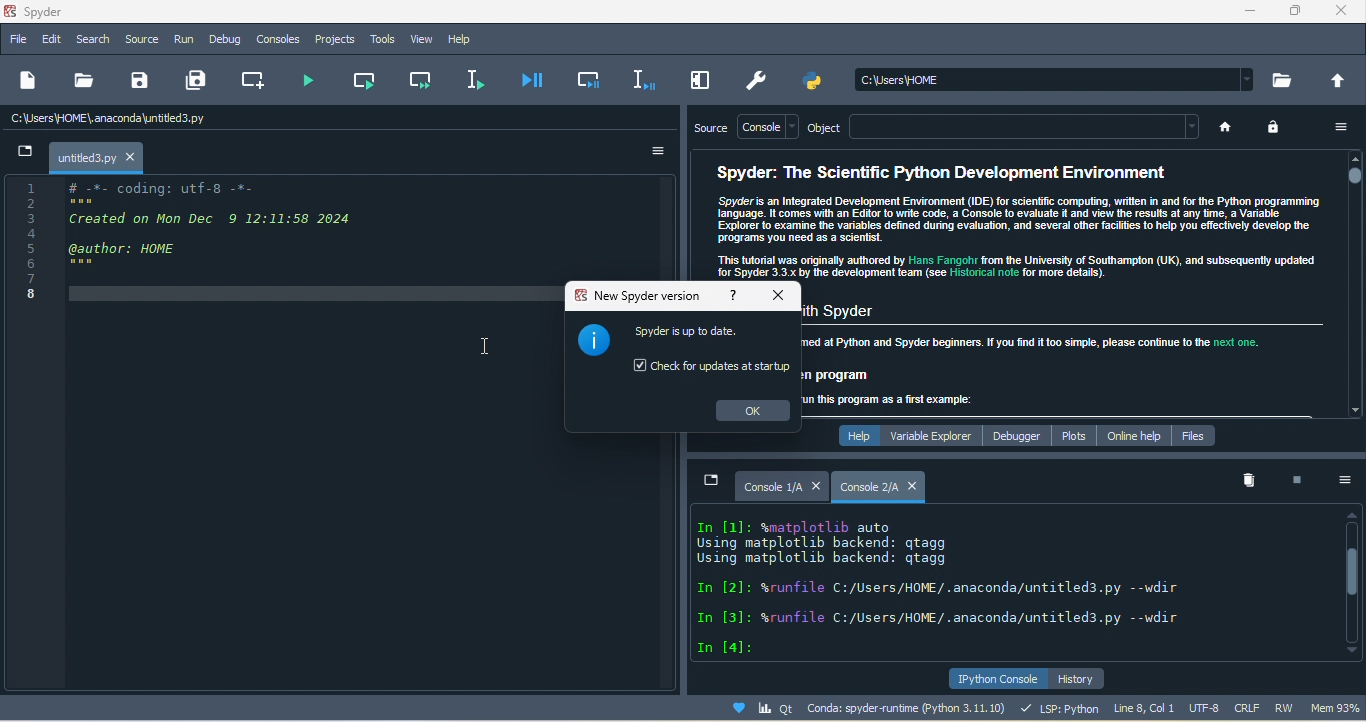  I want to click on debugger, so click(1019, 435).